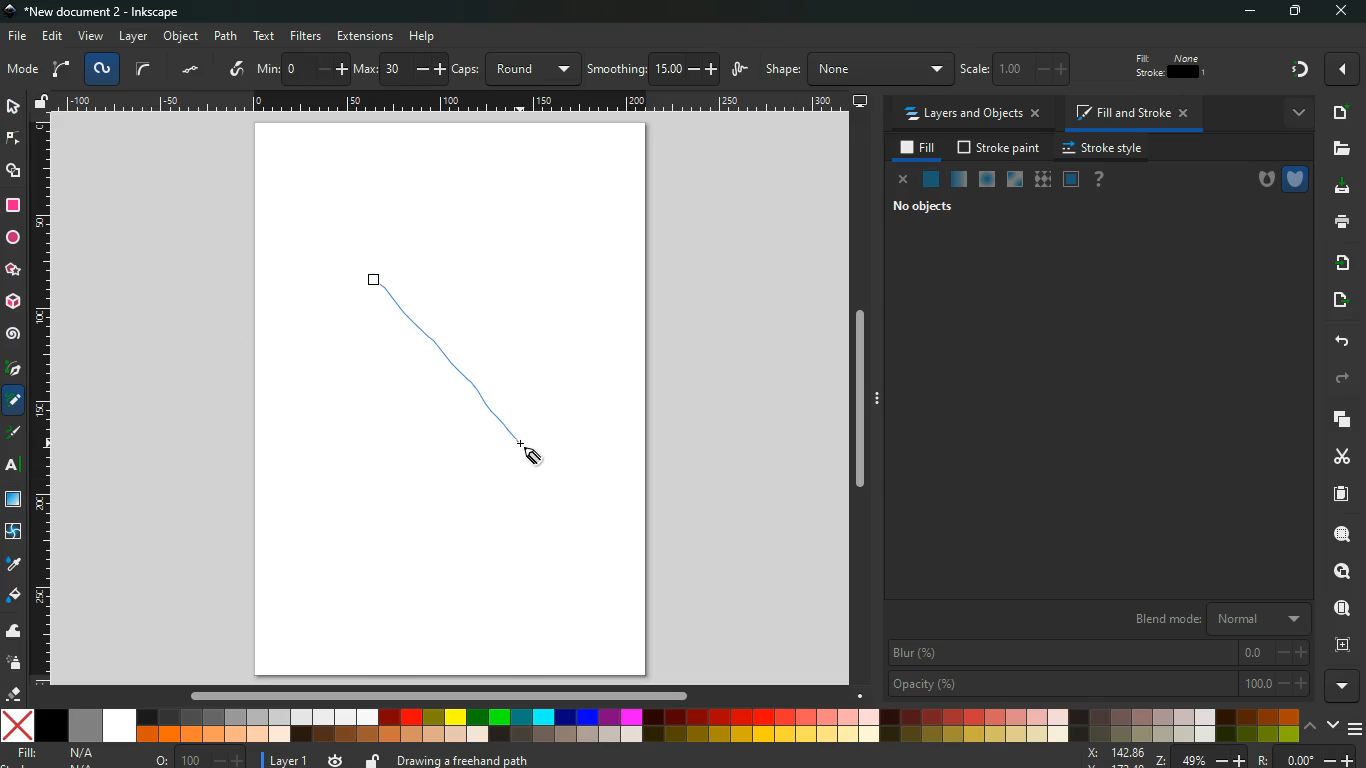 The image size is (1366, 768). I want to click on zoom, so click(1222, 758).